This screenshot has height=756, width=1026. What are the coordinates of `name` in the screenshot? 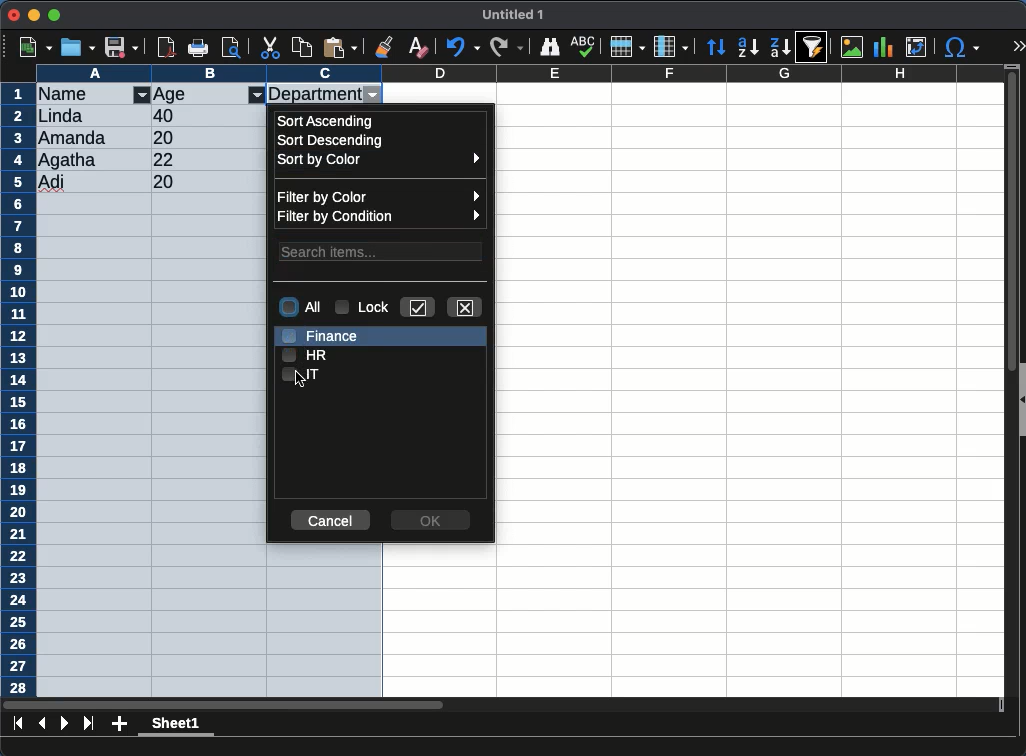 It's located at (73, 93).